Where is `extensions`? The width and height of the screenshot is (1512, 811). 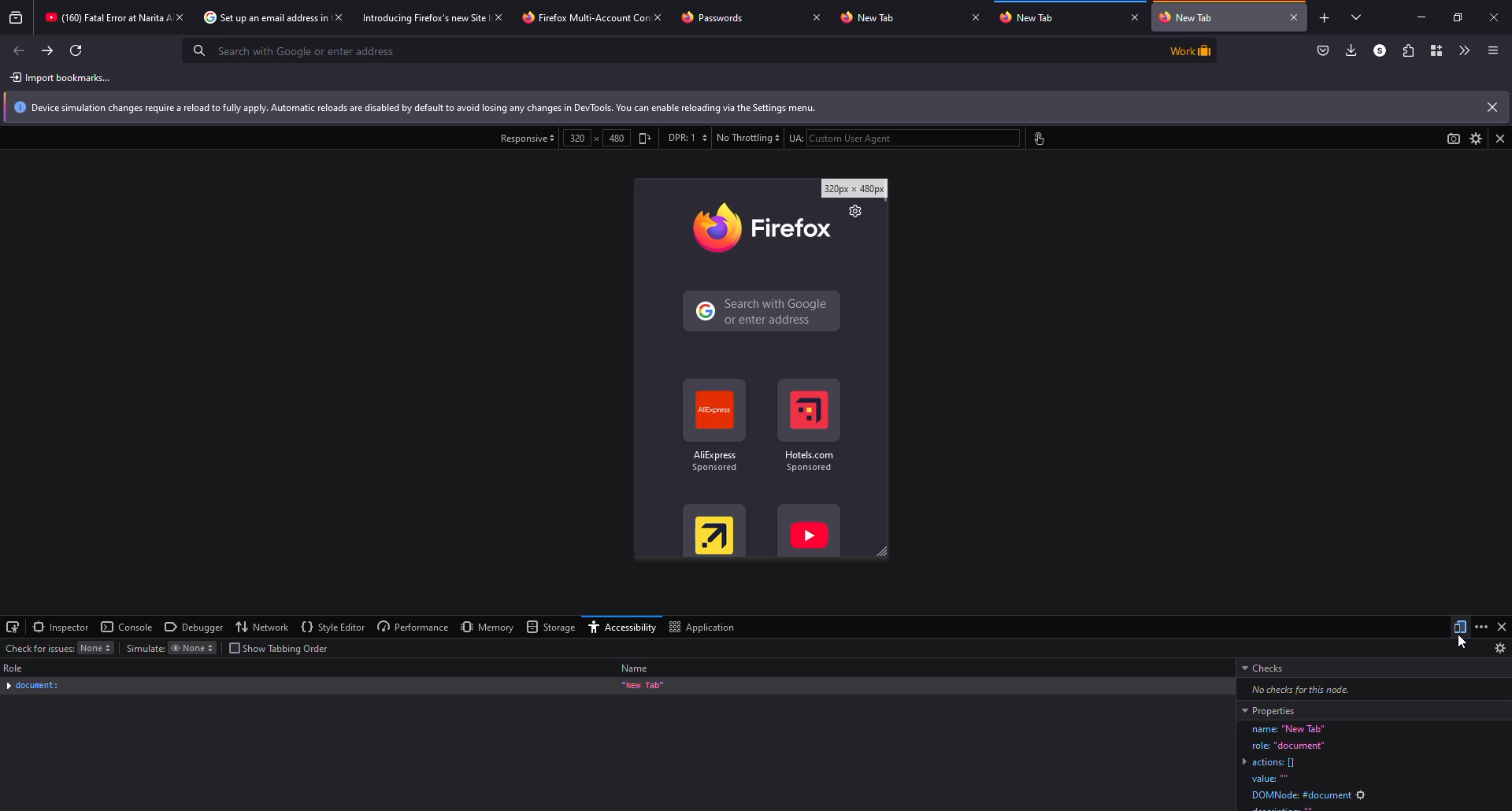
extensions is located at coordinates (1406, 50).